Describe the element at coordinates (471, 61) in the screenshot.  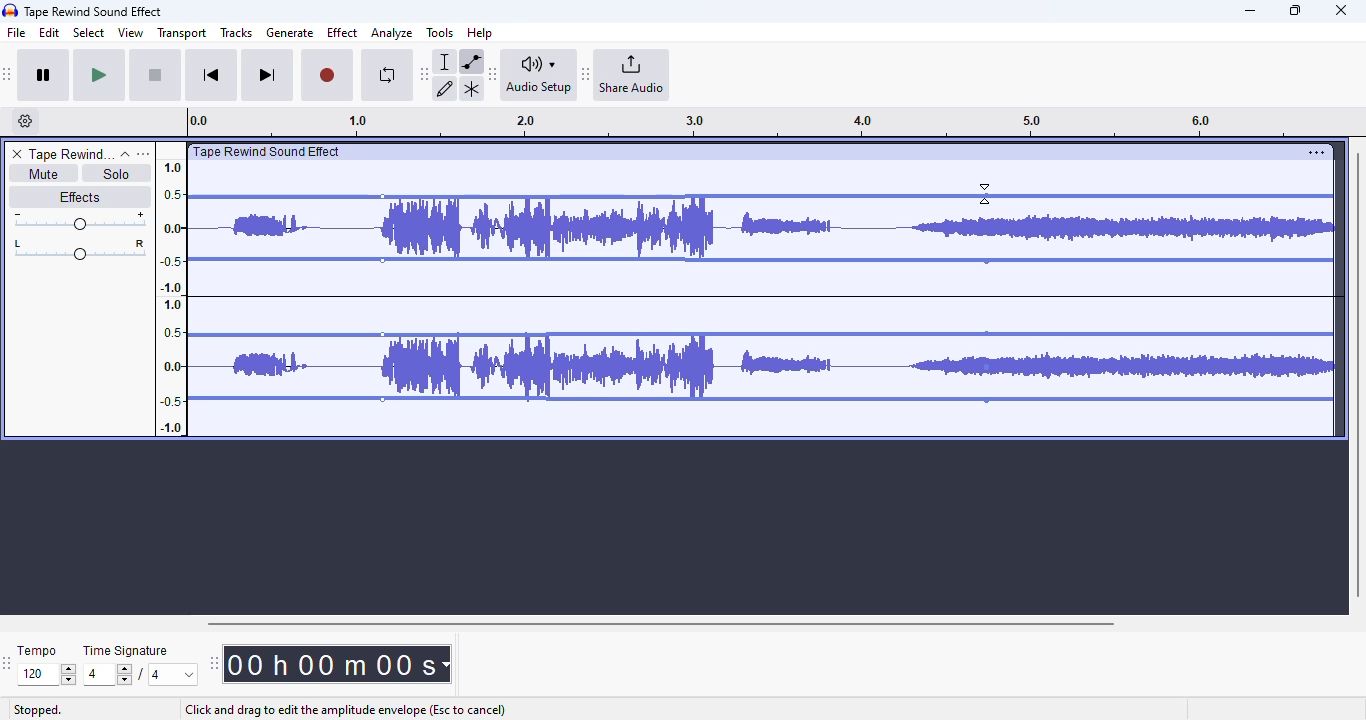
I see `envelope tool` at that location.